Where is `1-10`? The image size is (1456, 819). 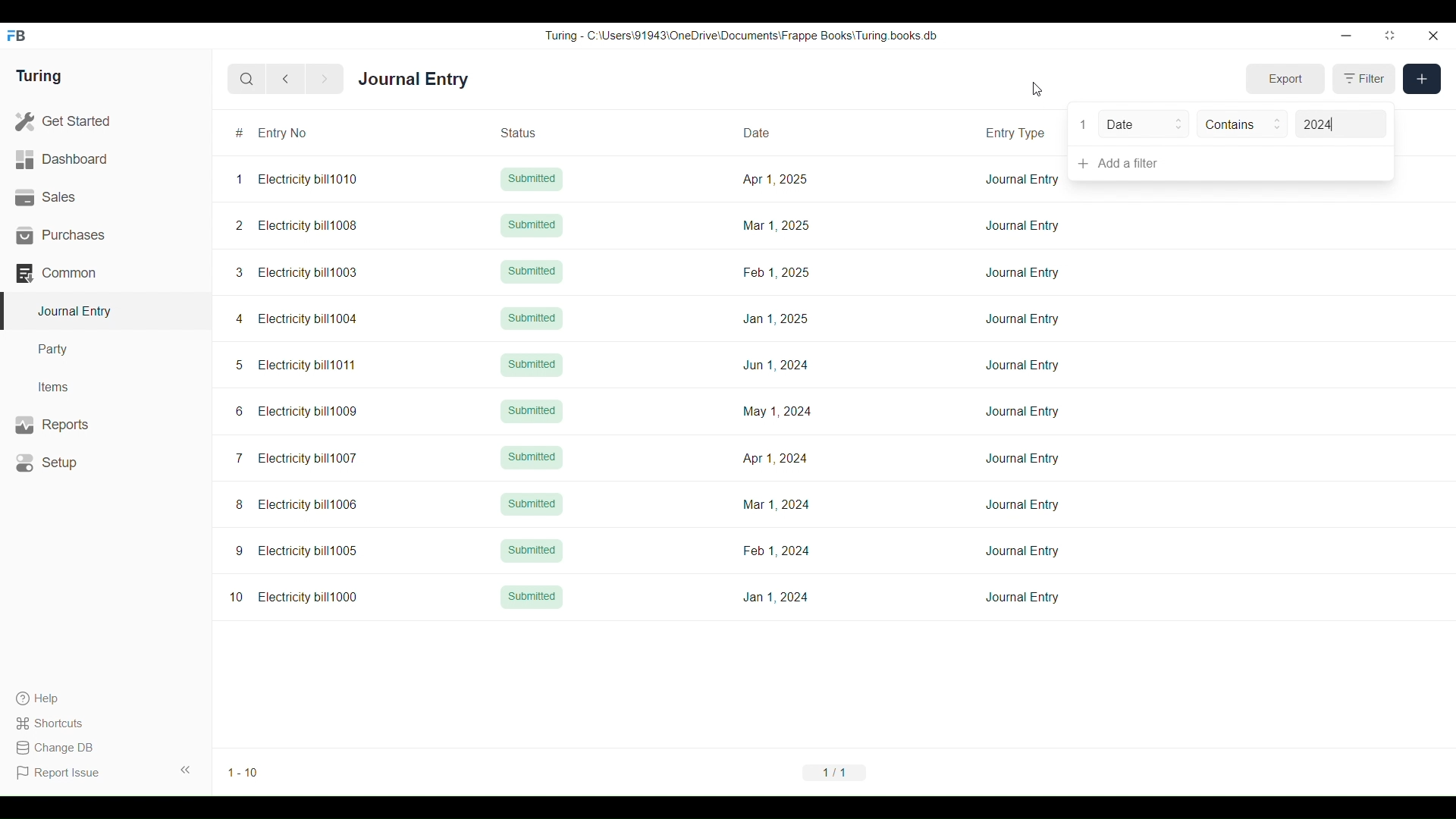
1-10 is located at coordinates (243, 773).